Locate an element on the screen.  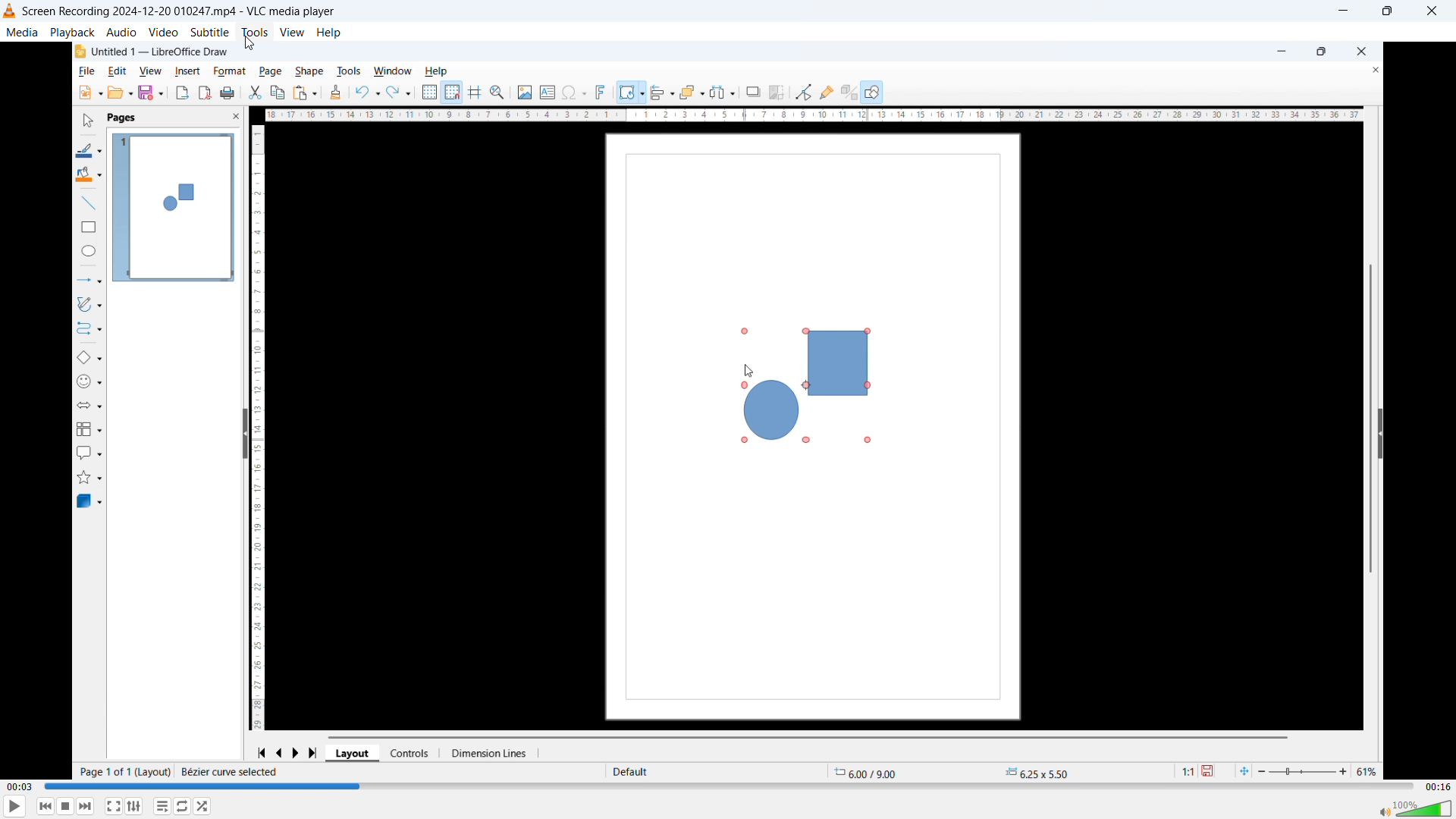
tools is located at coordinates (256, 32).